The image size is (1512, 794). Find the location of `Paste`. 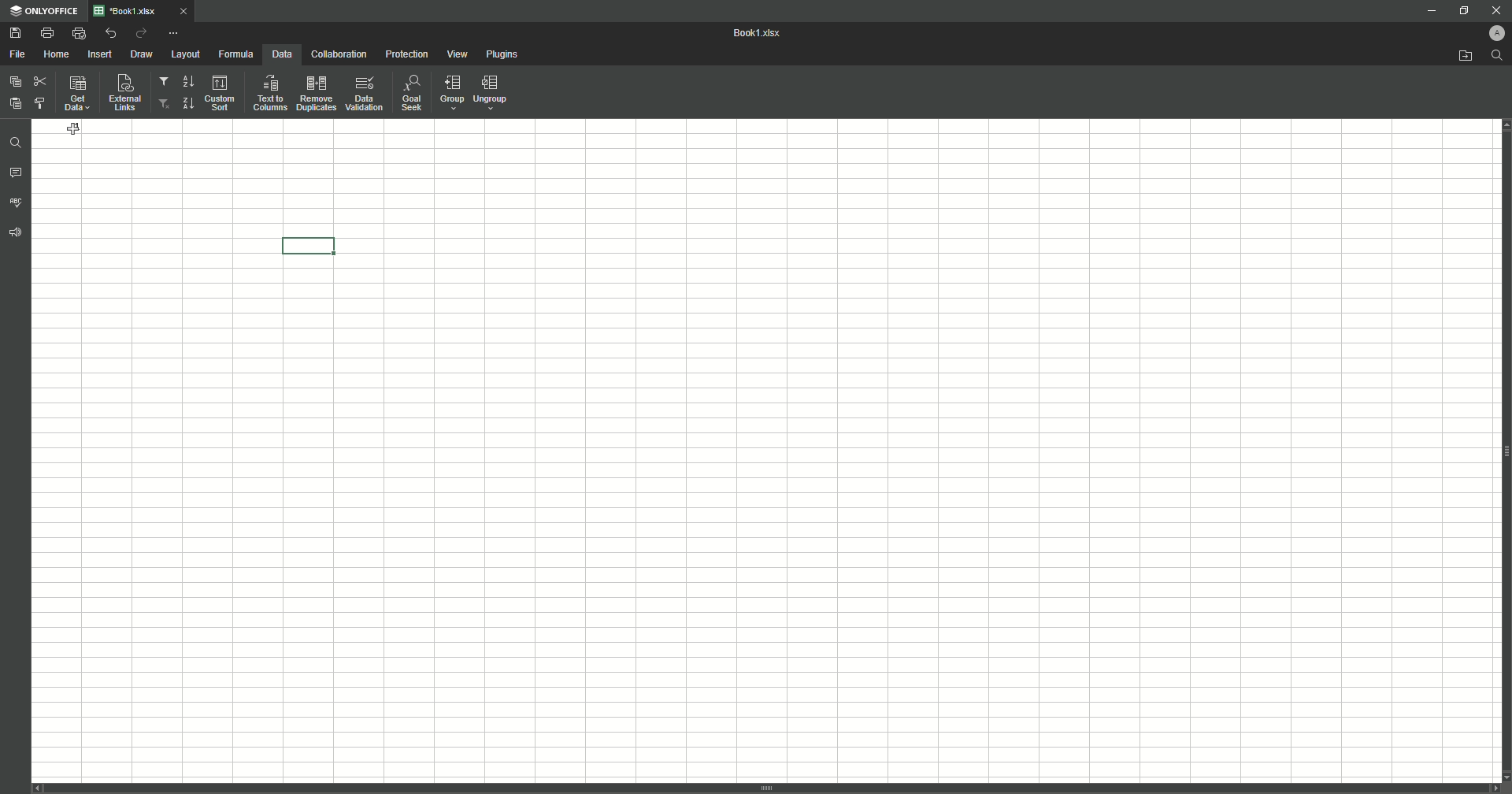

Paste is located at coordinates (16, 81).